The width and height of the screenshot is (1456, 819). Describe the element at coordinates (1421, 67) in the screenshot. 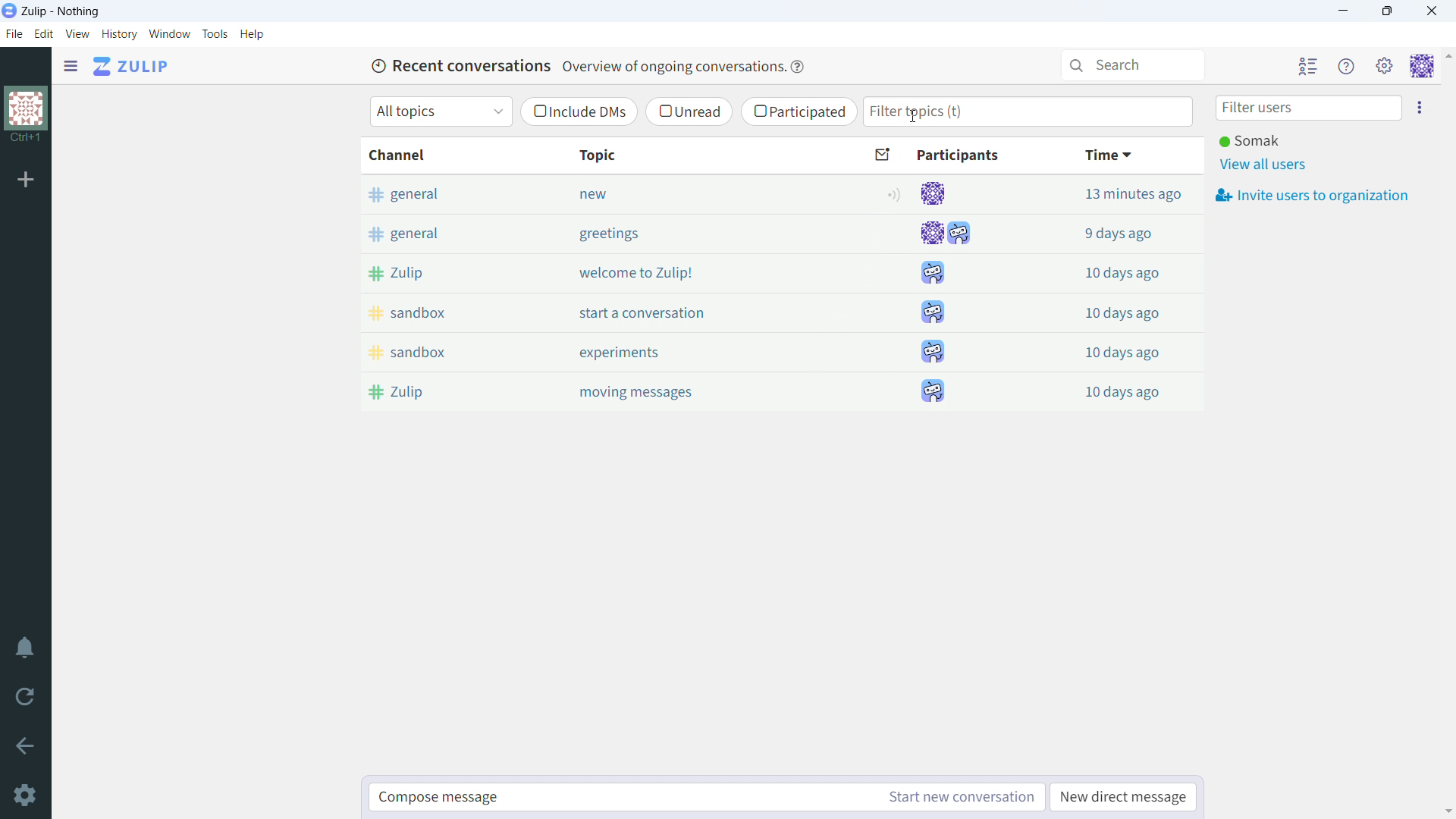

I see `personal menu` at that location.